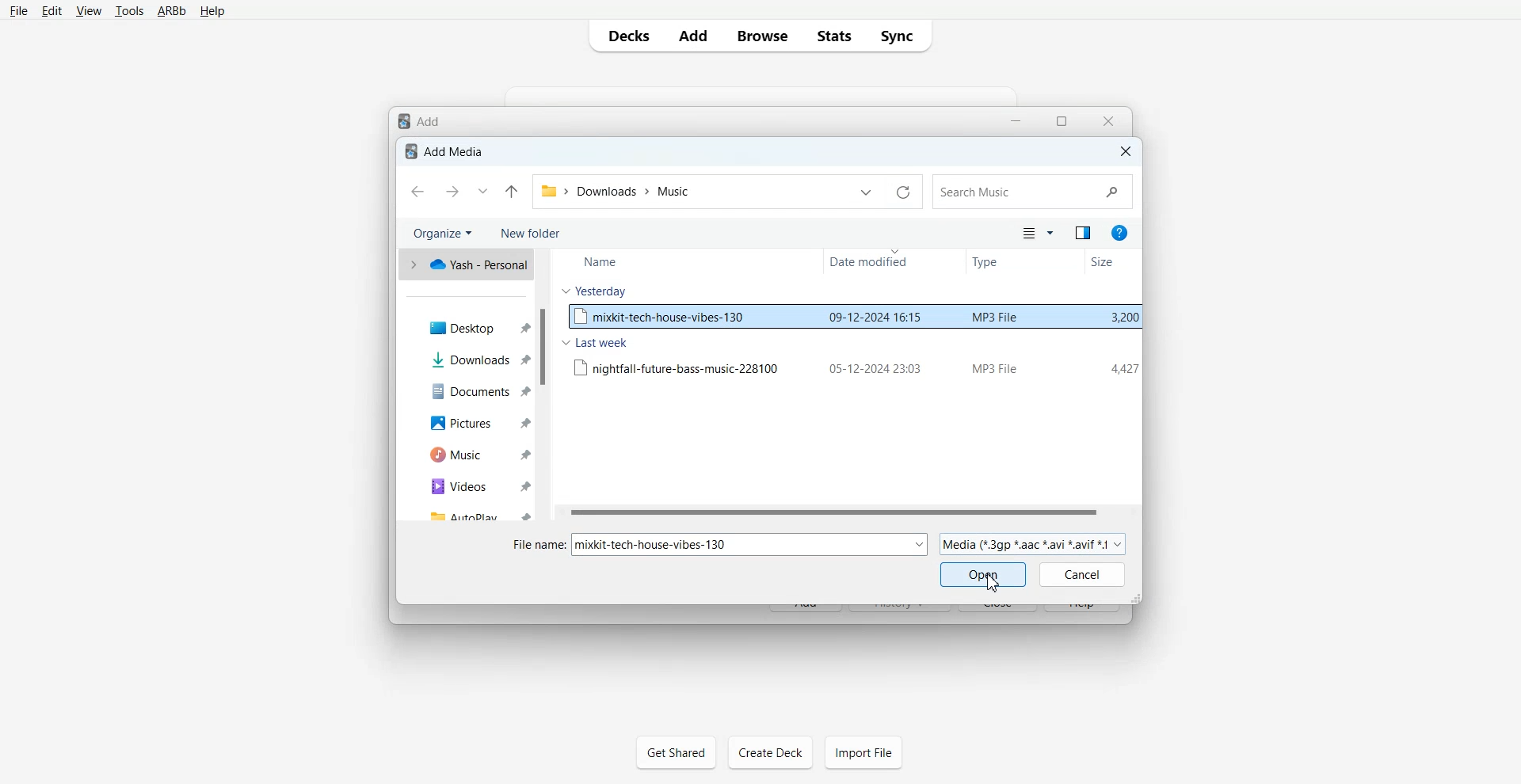  I want to click on Vertical scroll bar, so click(545, 385).